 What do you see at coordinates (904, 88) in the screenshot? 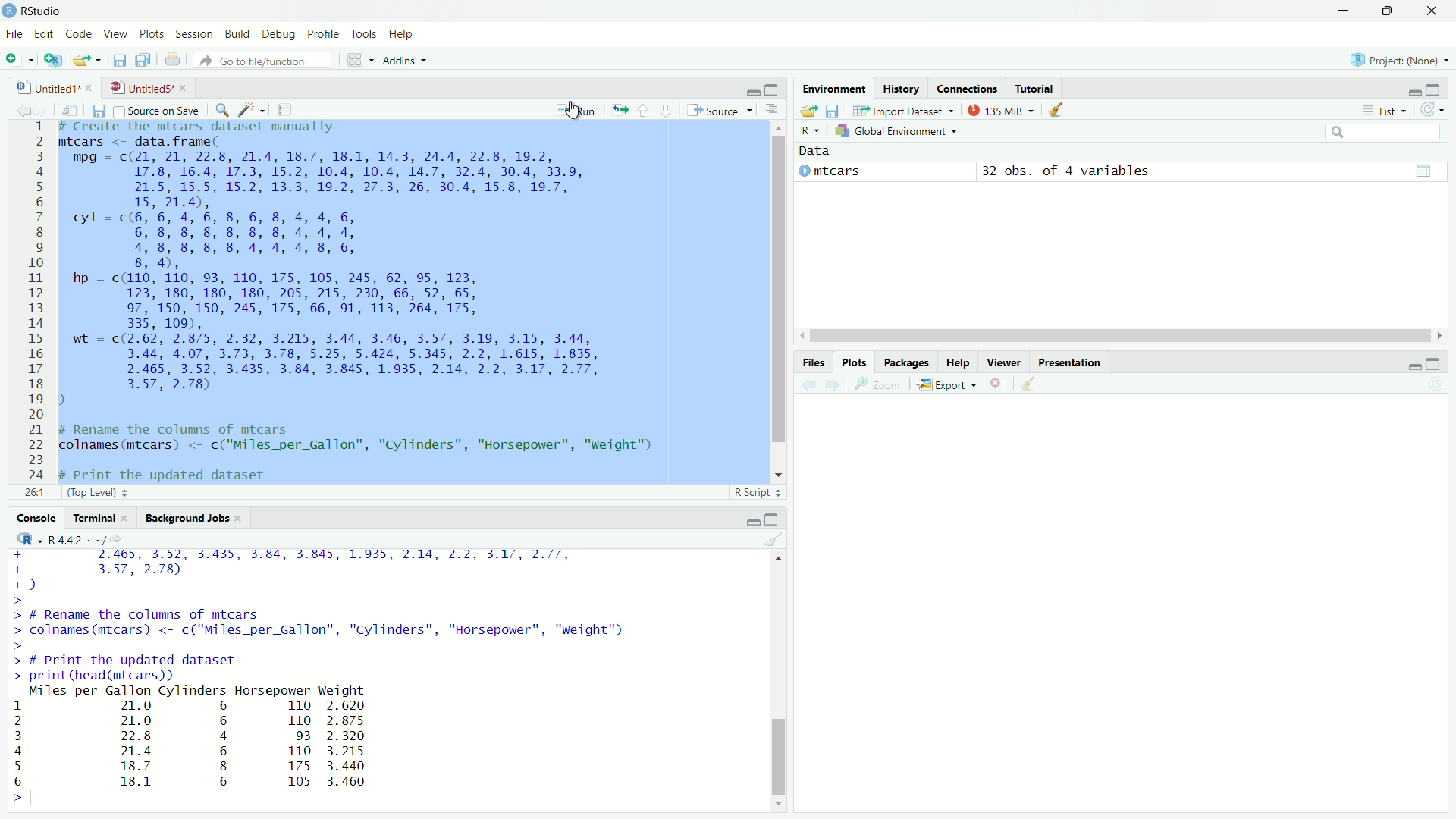
I see `History` at bounding box center [904, 88].